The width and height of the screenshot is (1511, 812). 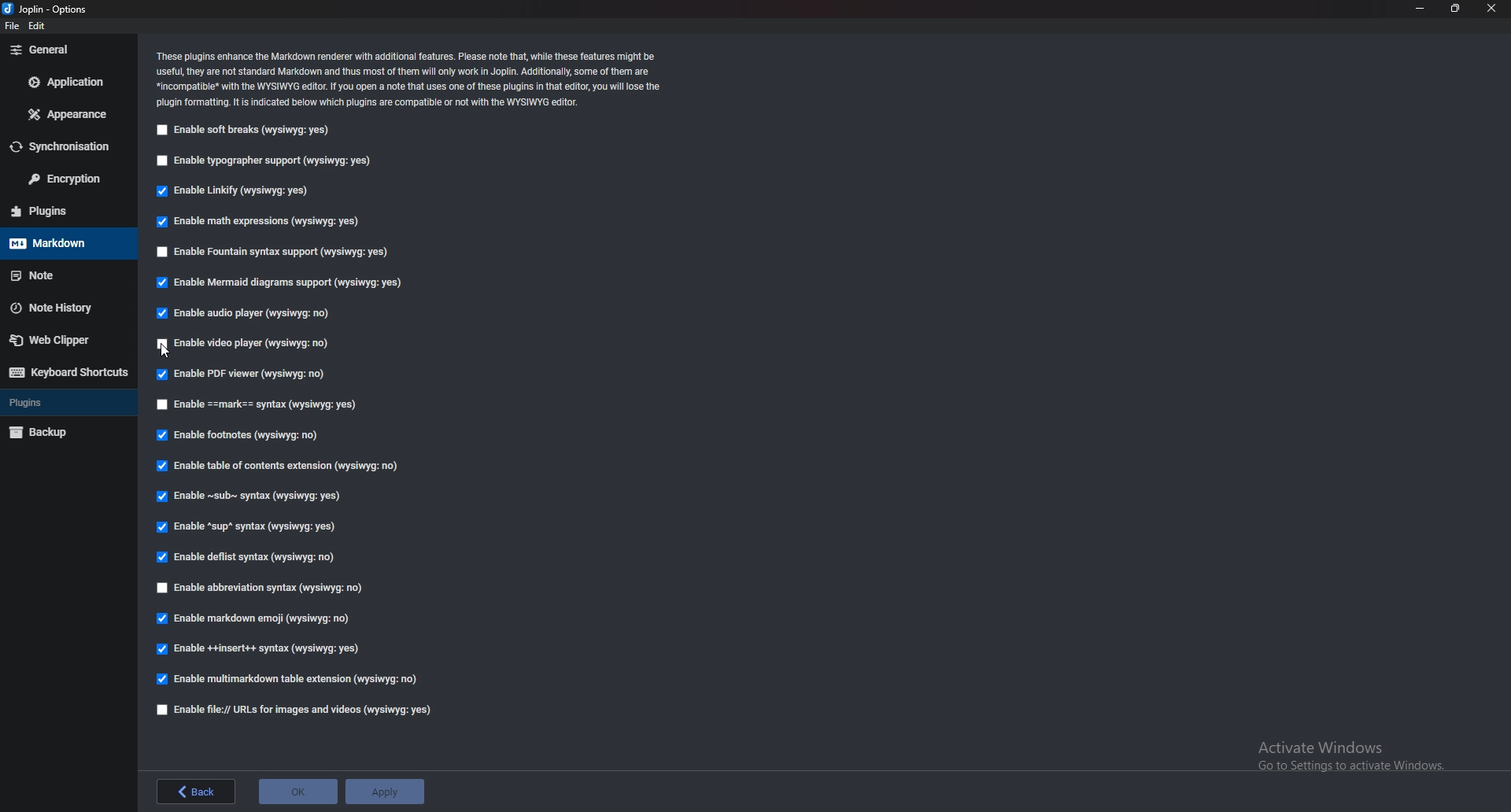 What do you see at coordinates (244, 529) in the screenshot?
I see `Enable sup syntax` at bounding box center [244, 529].